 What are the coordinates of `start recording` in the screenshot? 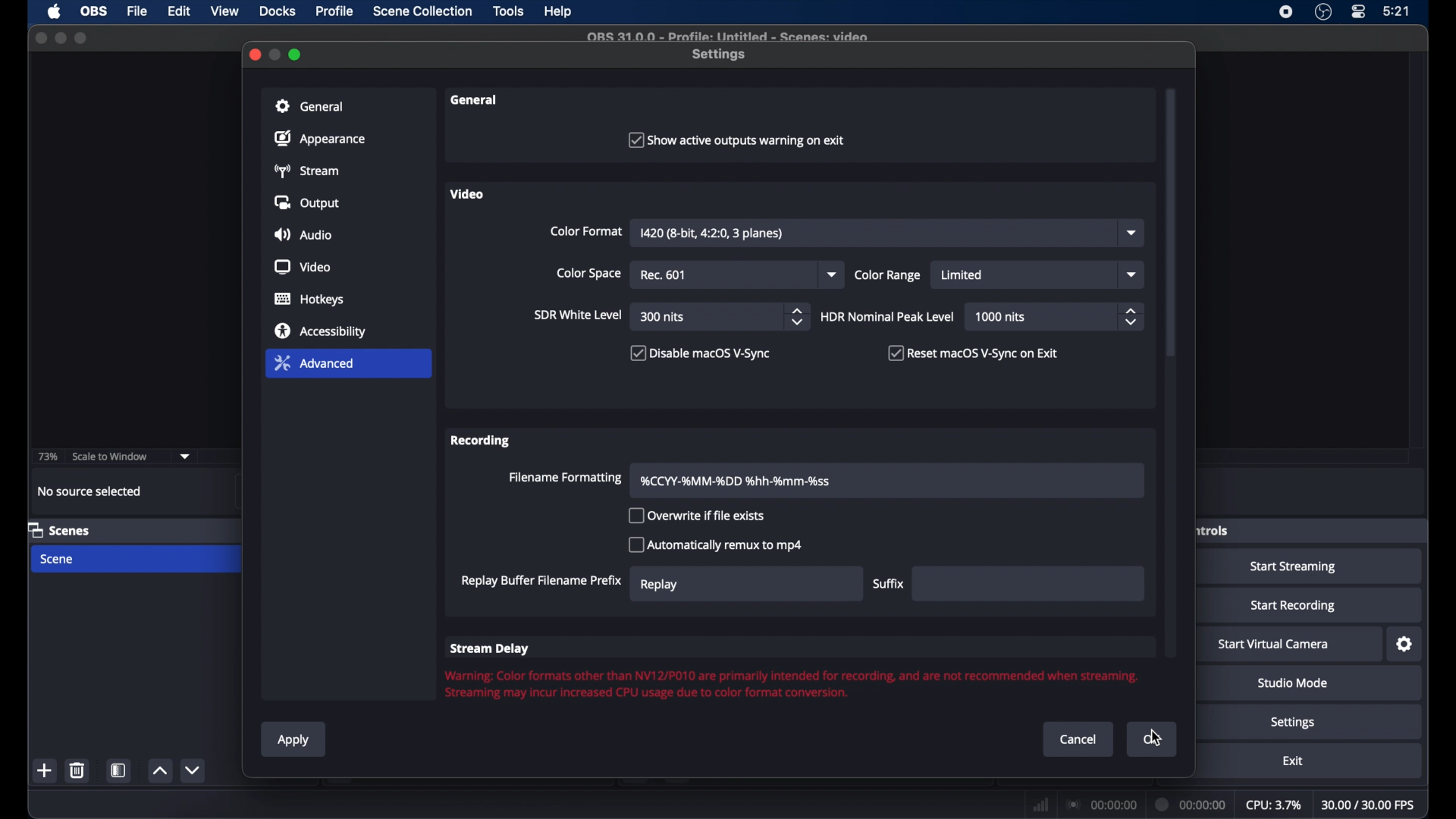 It's located at (1292, 607).